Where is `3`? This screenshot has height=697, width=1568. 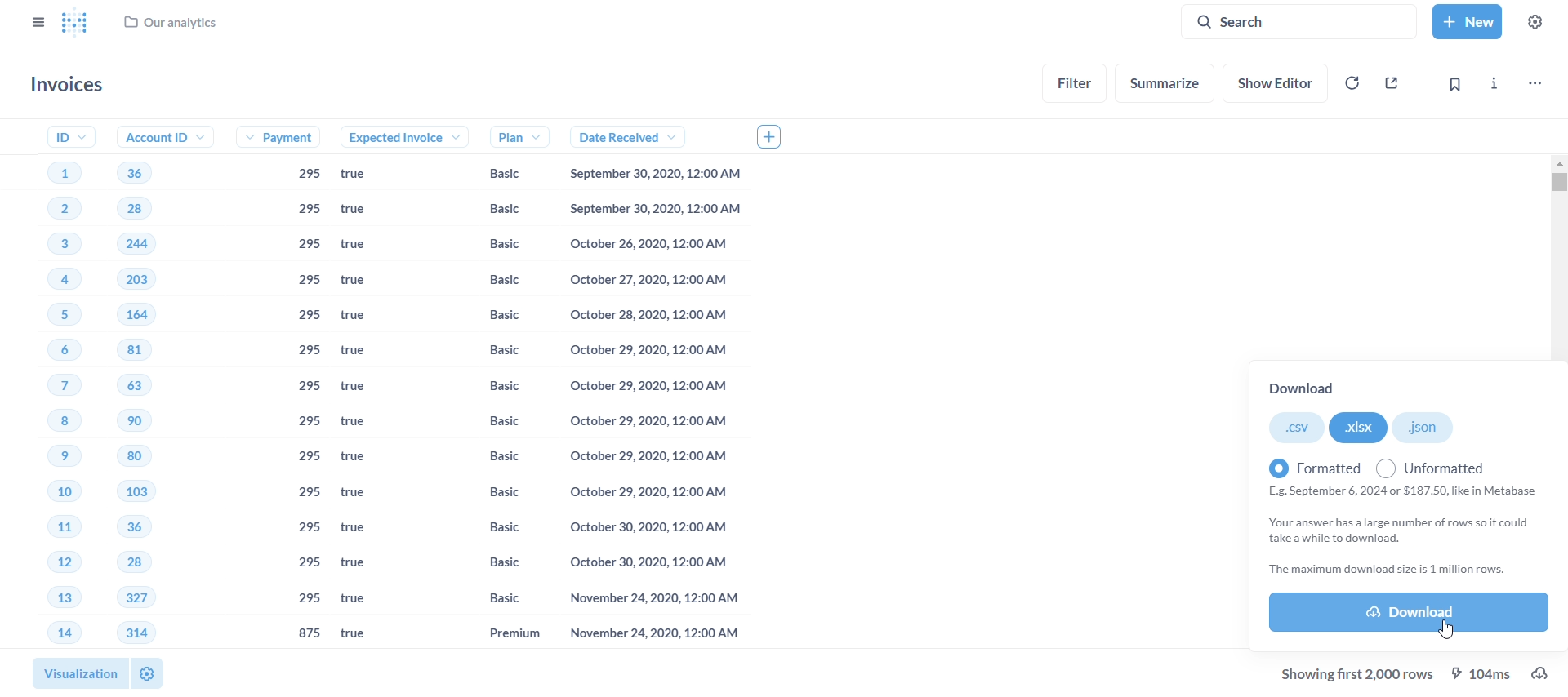
3 is located at coordinates (52, 246).